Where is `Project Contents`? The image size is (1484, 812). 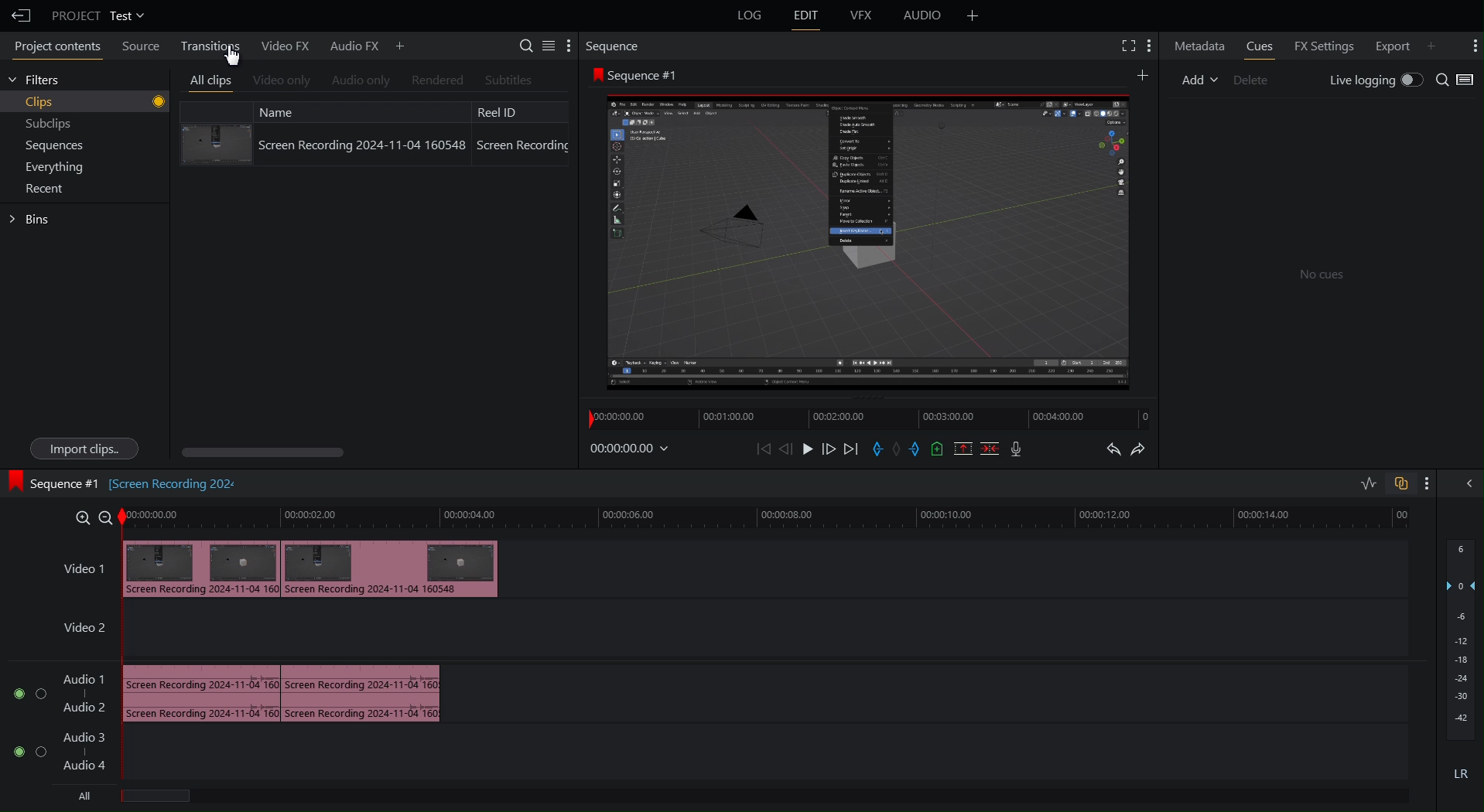
Project Contents is located at coordinates (55, 47).